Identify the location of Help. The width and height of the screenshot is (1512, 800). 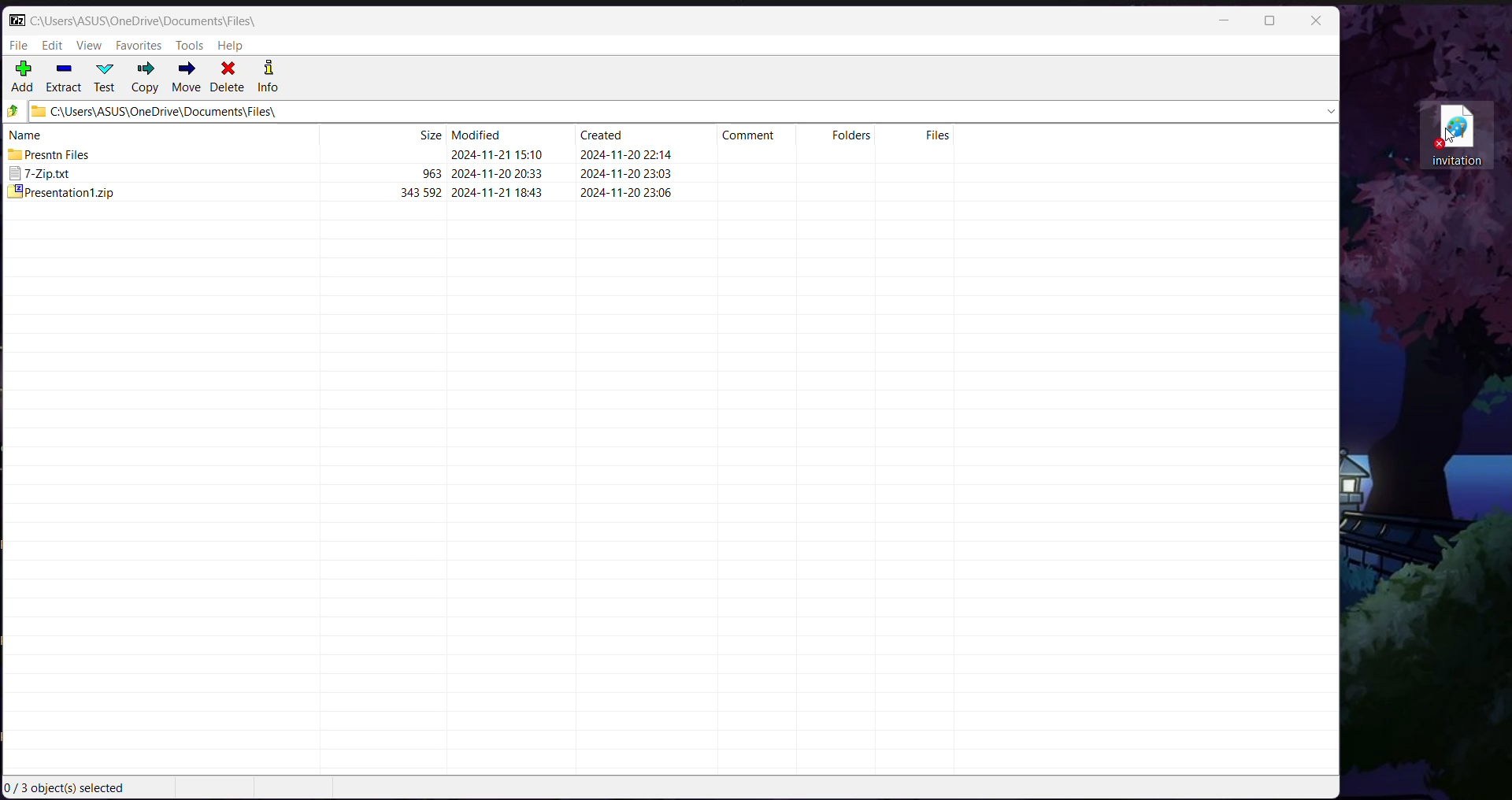
(232, 46).